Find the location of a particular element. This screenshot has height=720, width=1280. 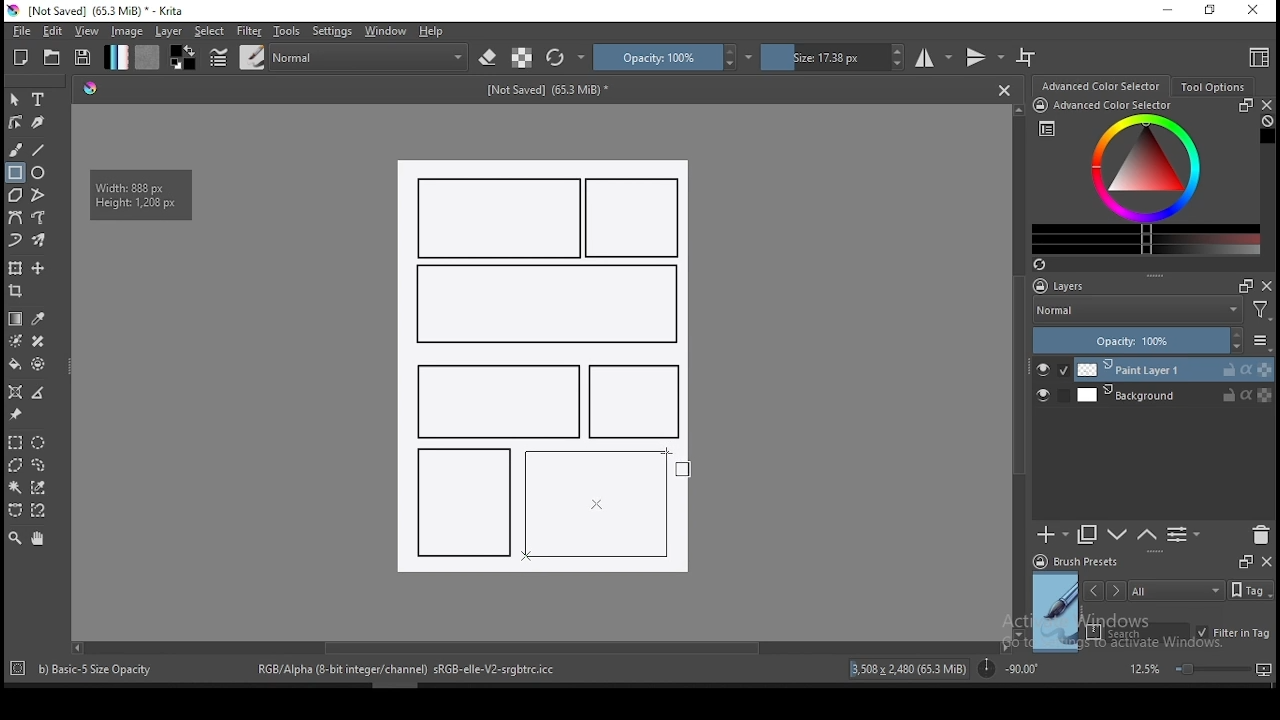

layer is located at coordinates (1175, 370).